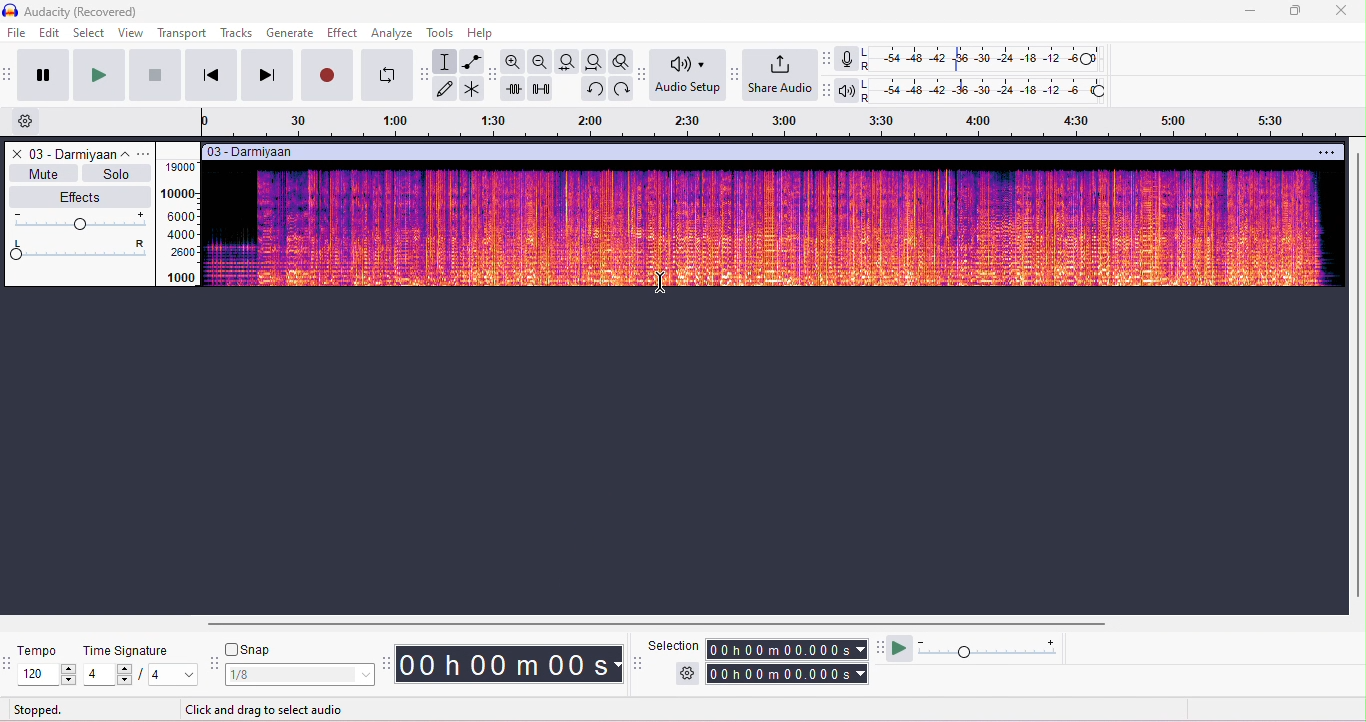 The width and height of the screenshot is (1366, 722). Describe the element at coordinates (593, 89) in the screenshot. I see `undo` at that location.